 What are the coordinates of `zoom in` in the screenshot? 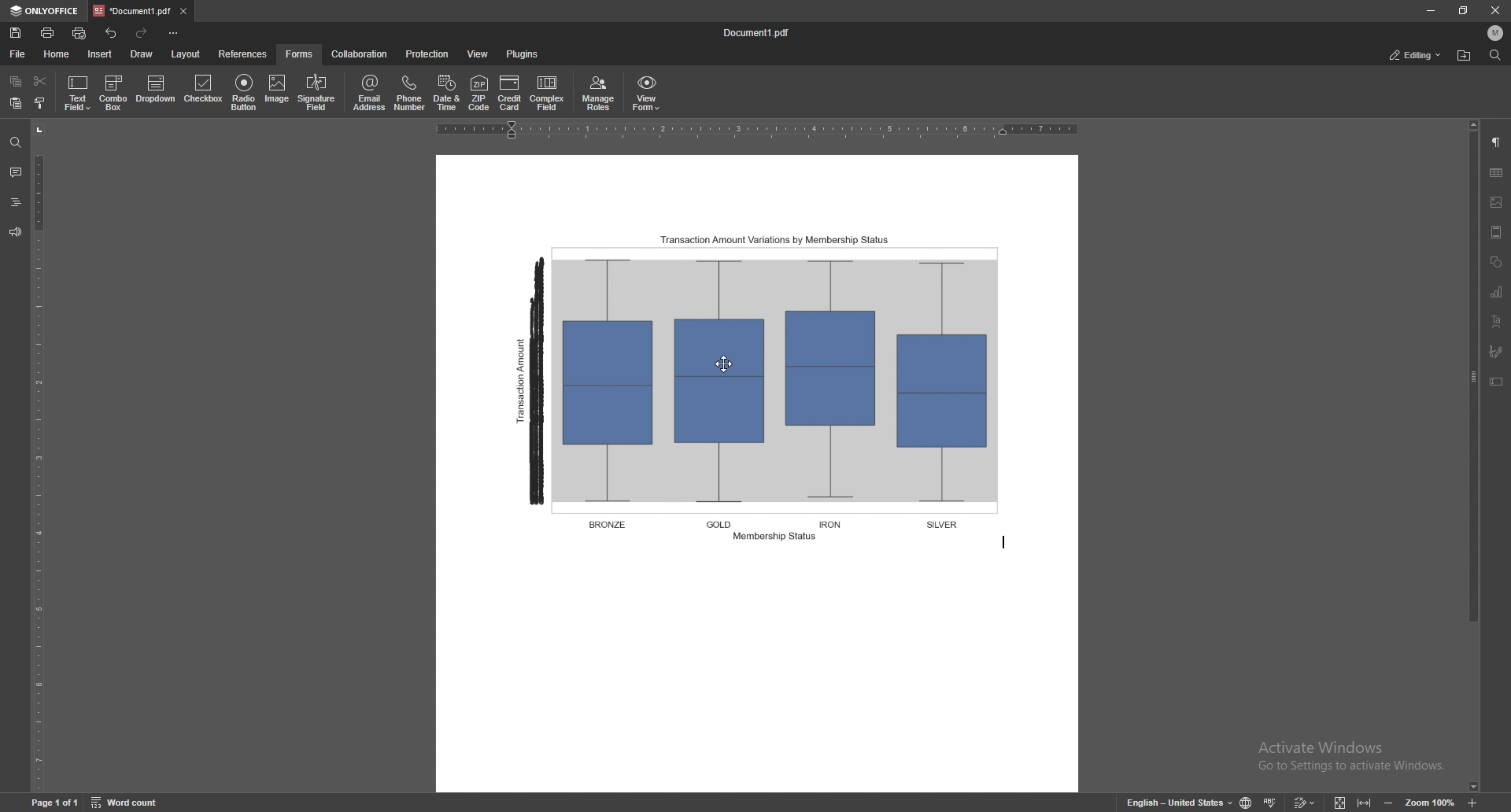 It's located at (1472, 801).